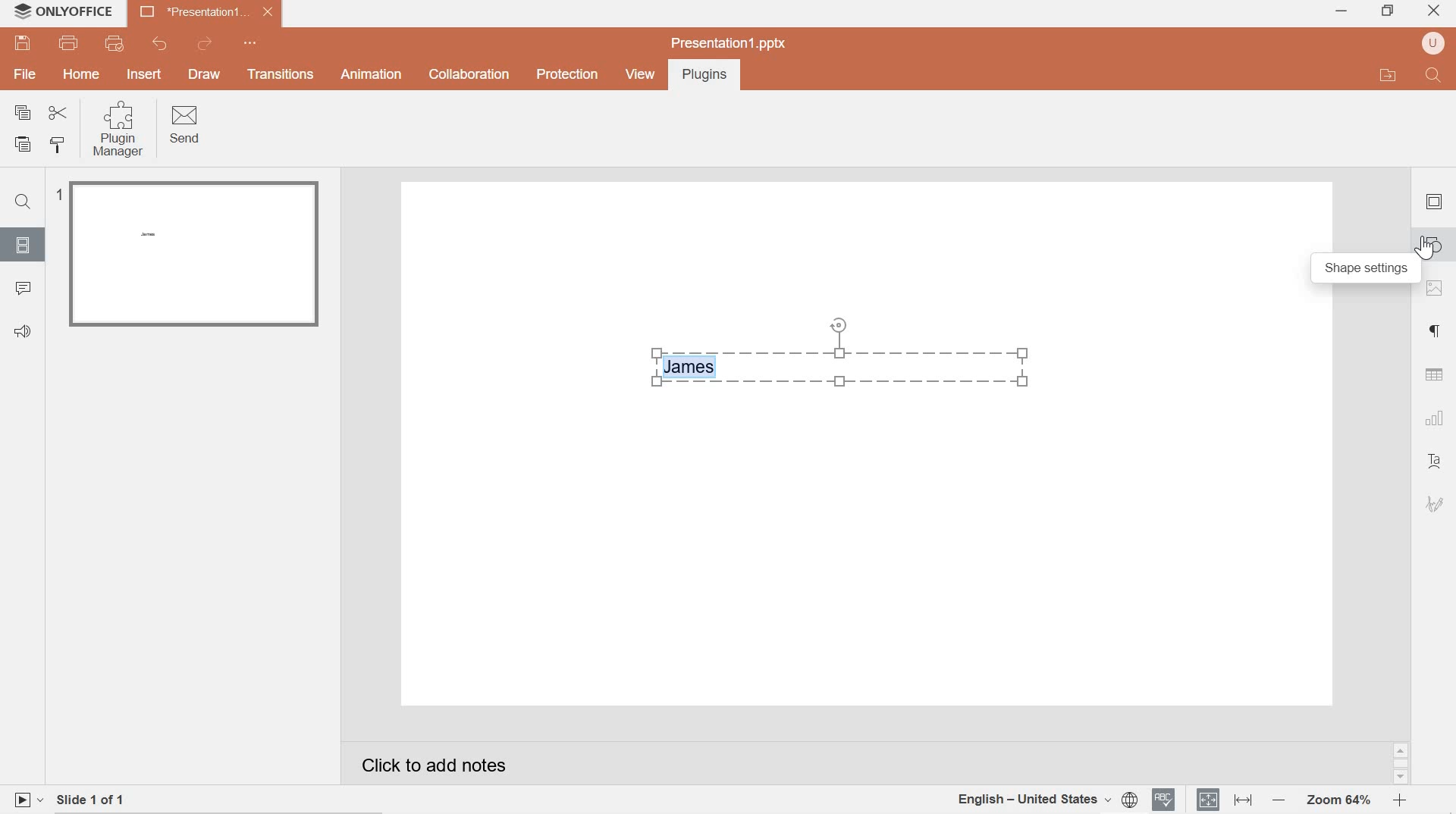 The width and height of the screenshot is (1456, 814). I want to click on play slide, so click(27, 799).